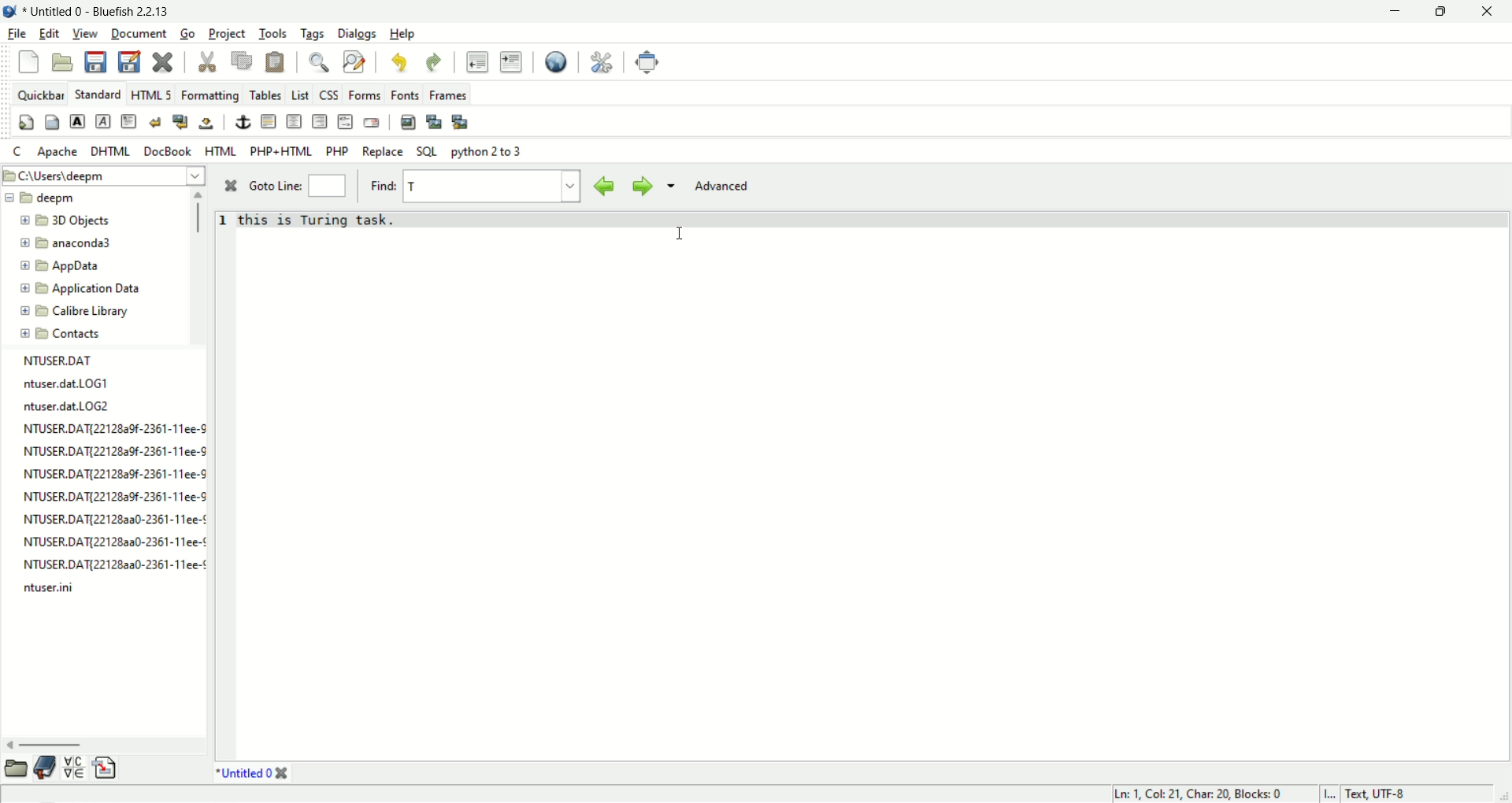  I want to click on pragraph, so click(129, 121).